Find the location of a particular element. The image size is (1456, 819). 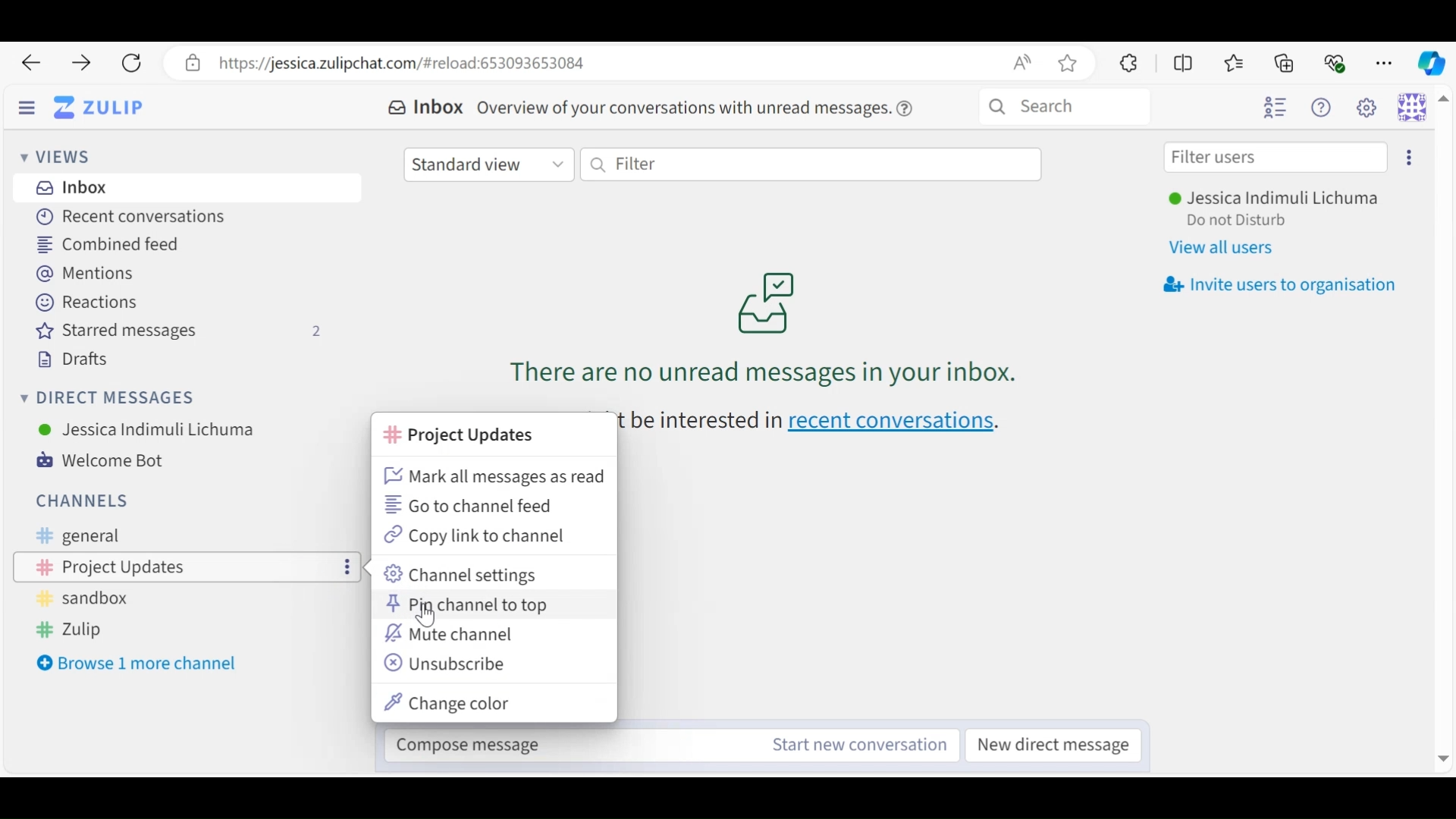

Copilot is located at coordinates (1430, 61).